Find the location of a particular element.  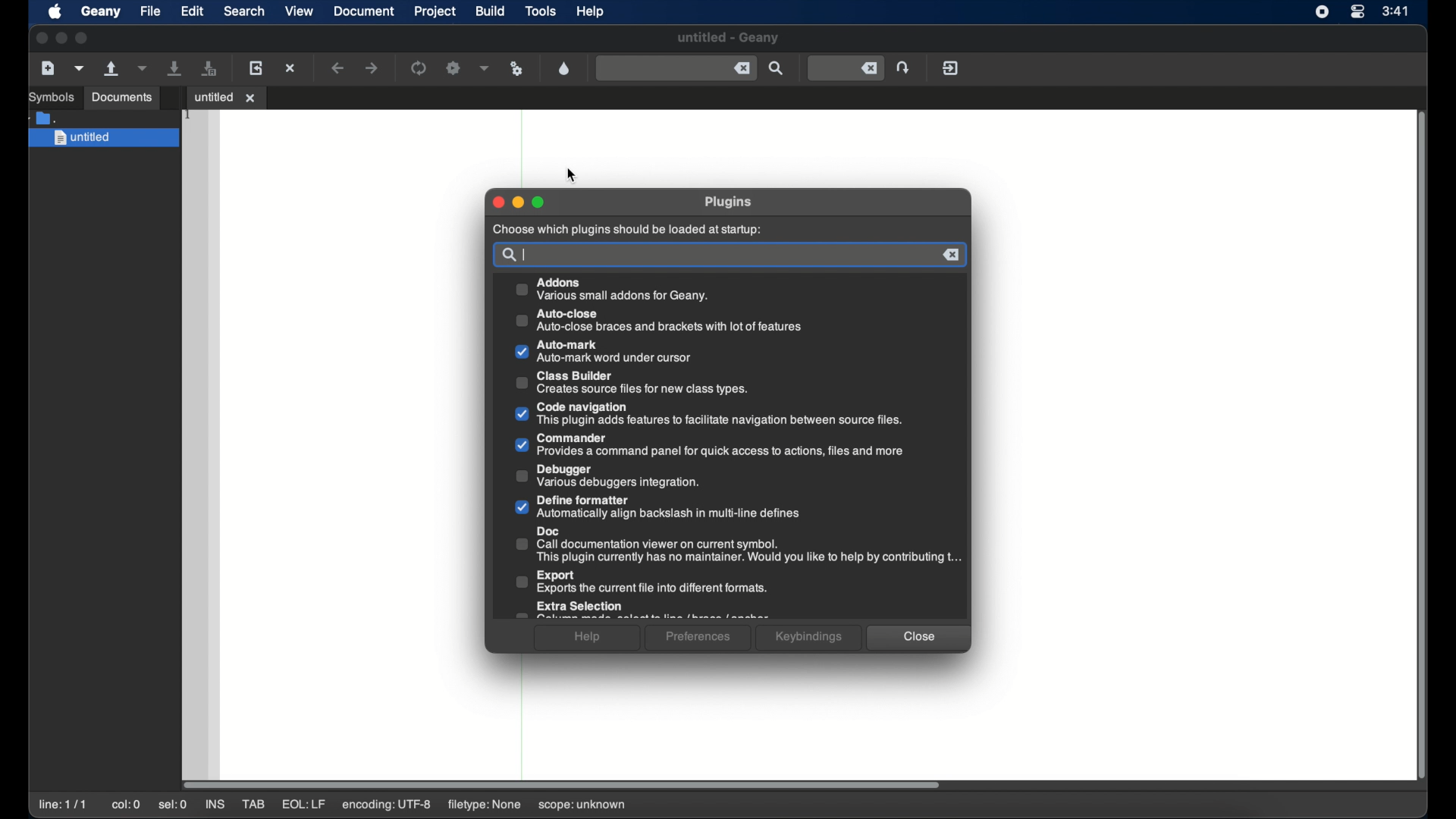

save the current file is located at coordinates (176, 69).